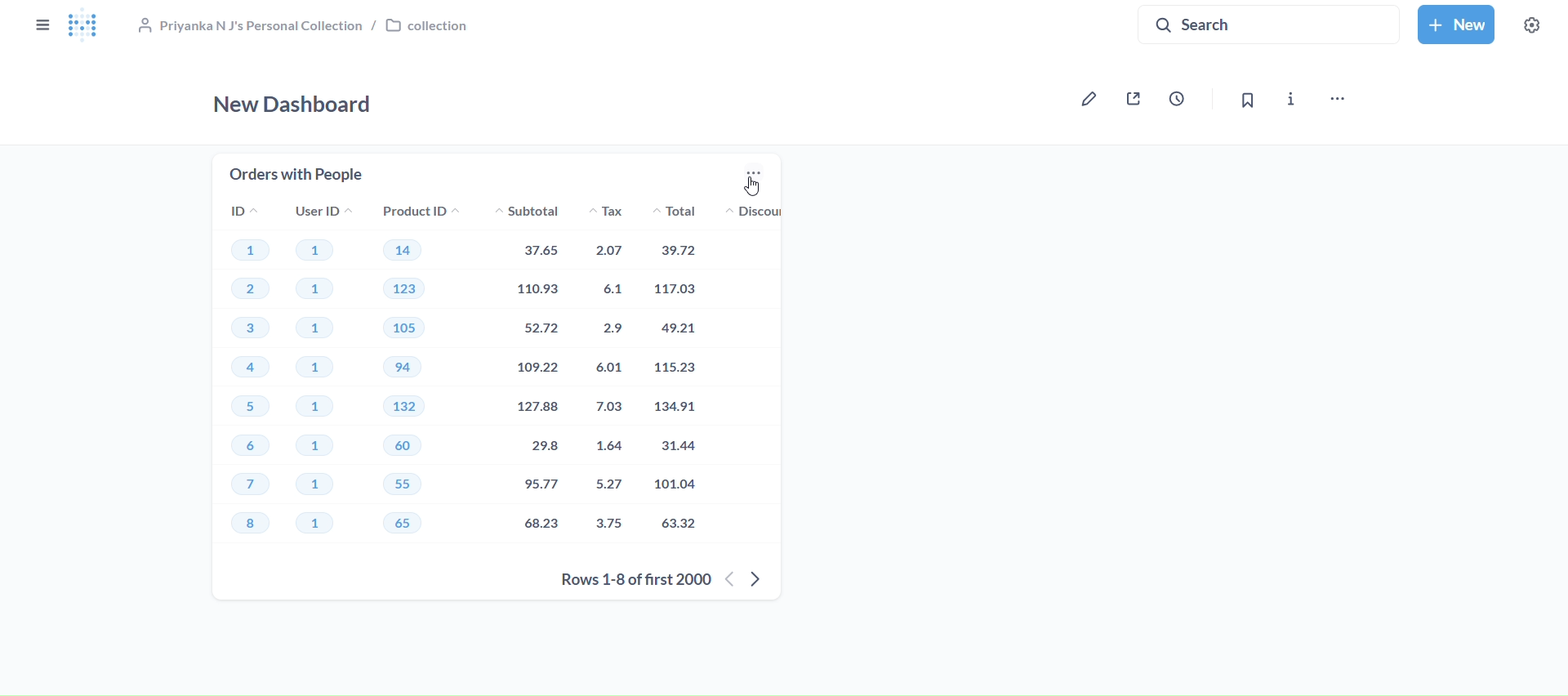 Image resolution: width=1568 pixels, height=696 pixels. What do you see at coordinates (1261, 25) in the screenshot?
I see `search` at bounding box center [1261, 25].